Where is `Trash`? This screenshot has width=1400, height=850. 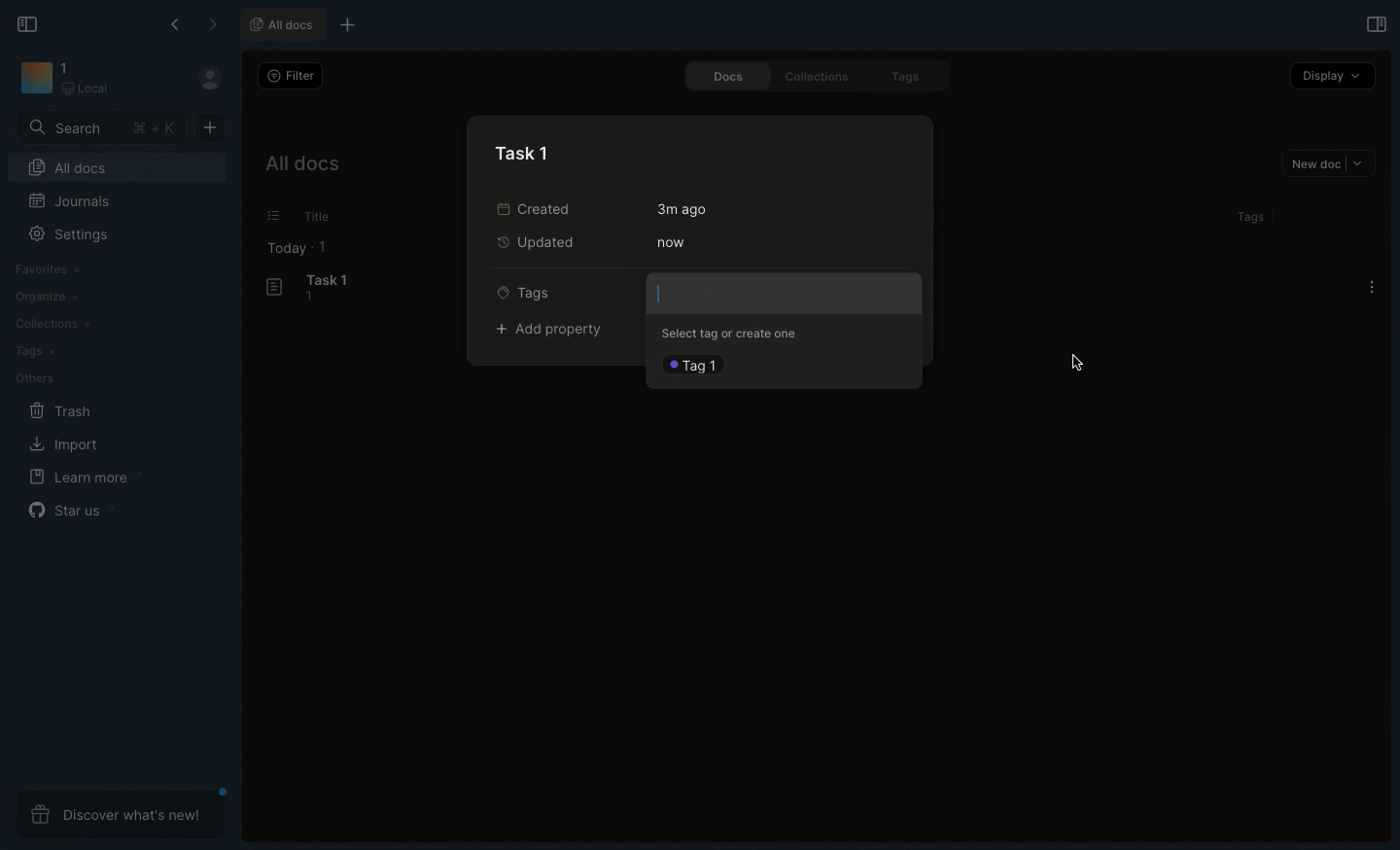
Trash is located at coordinates (62, 411).